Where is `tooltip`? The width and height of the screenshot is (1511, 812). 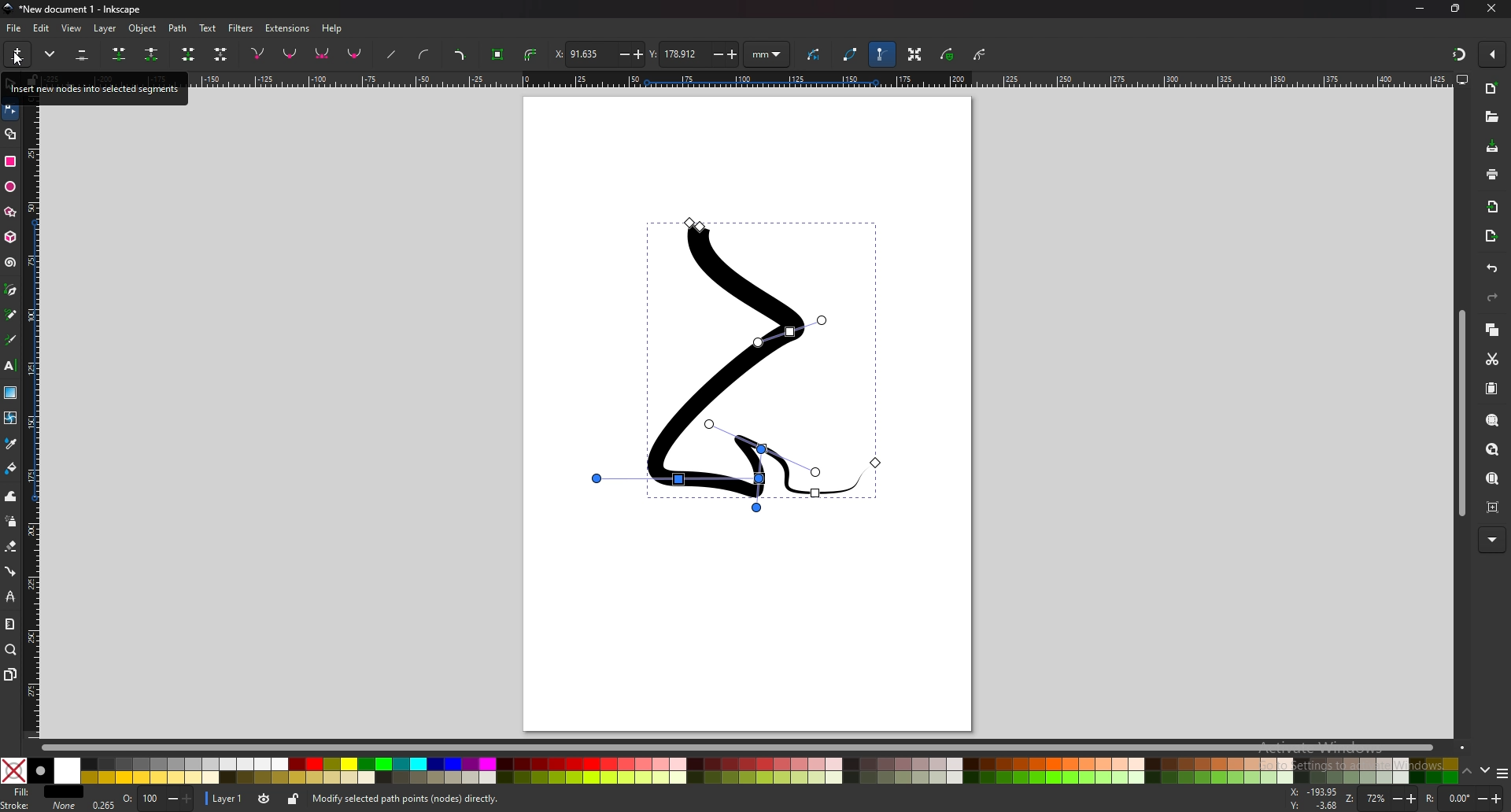 tooltip is located at coordinates (96, 90).